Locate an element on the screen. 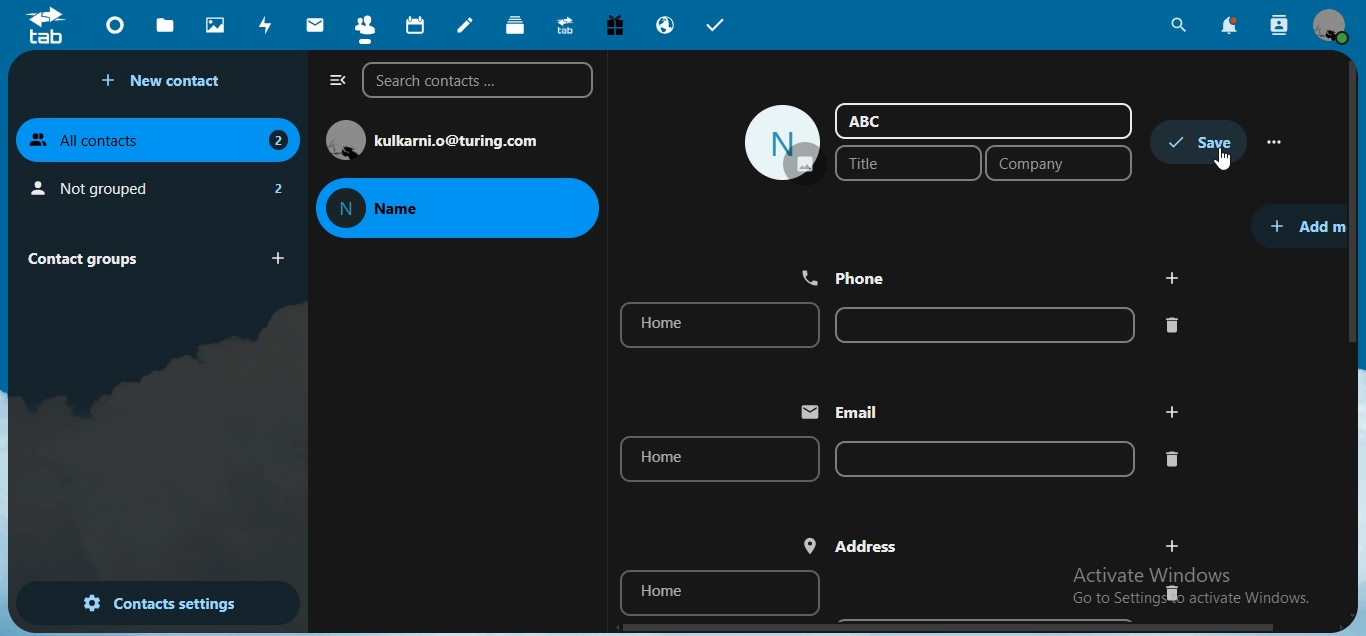 The height and width of the screenshot is (636, 1366). add more details is located at coordinates (1308, 224).